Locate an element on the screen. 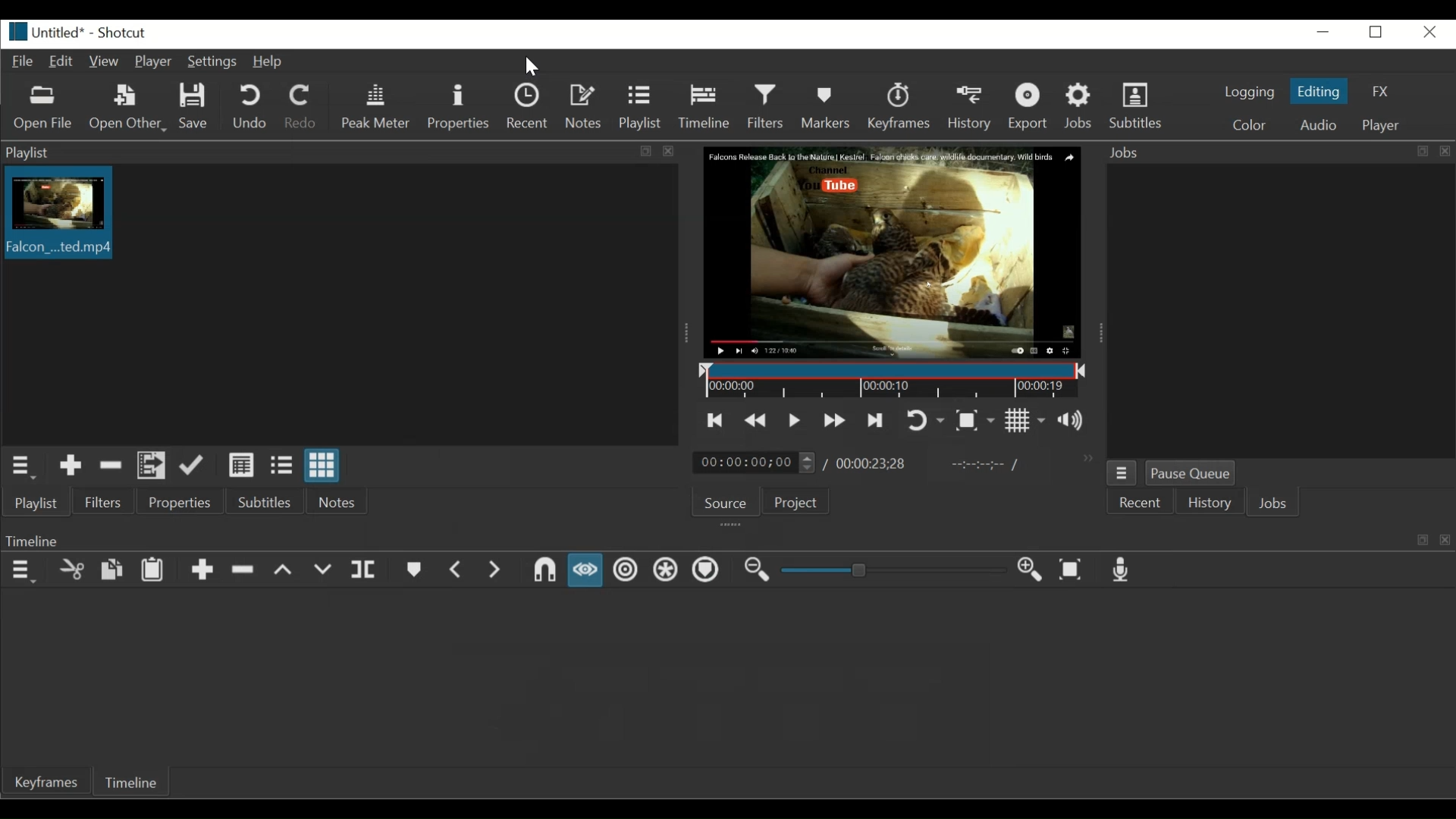 The image size is (1456, 819). Timeline is located at coordinates (726, 538).